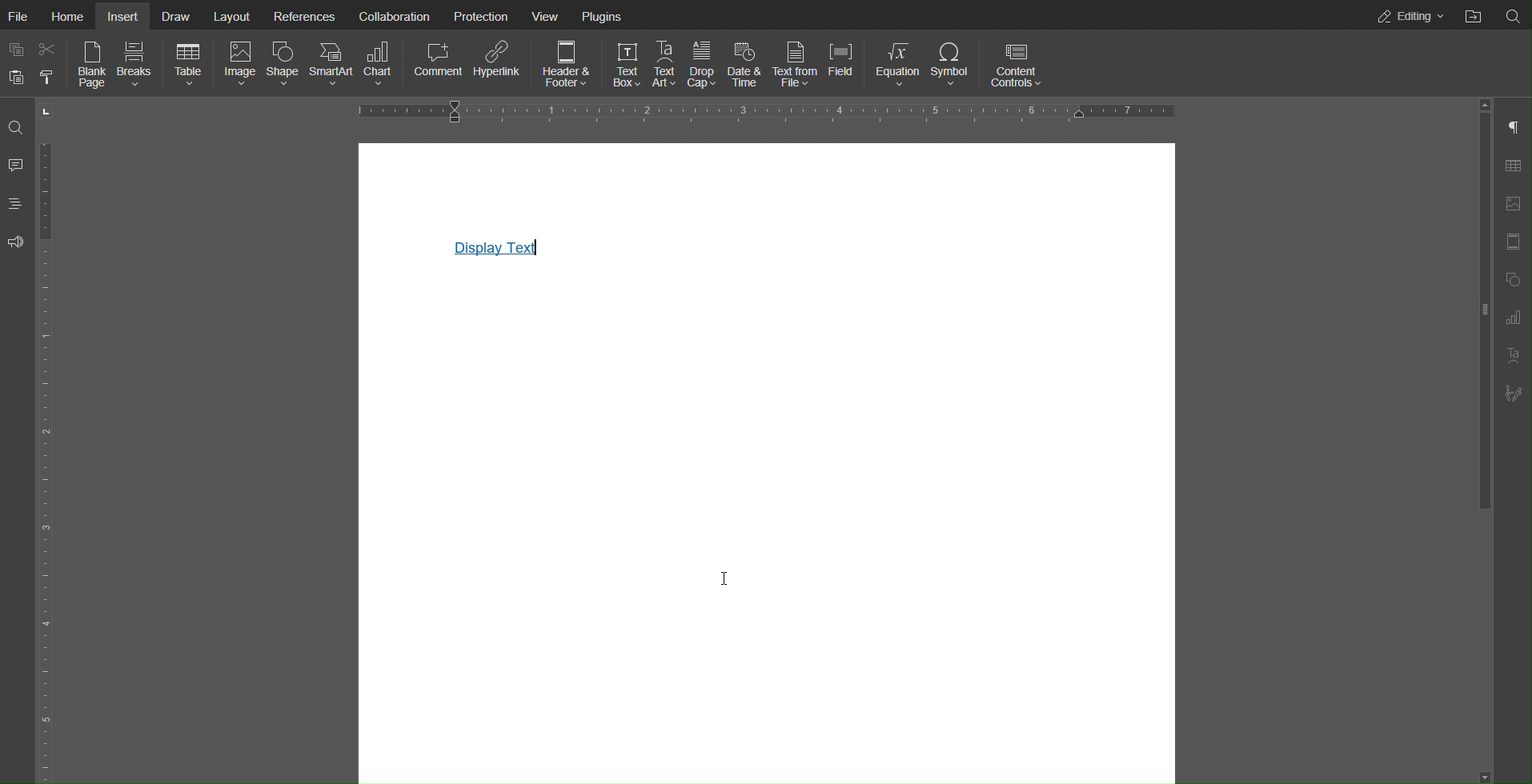  What do you see at coordinates (1512, 244) in the screenshot?
I see `Header Footer` at bounding box center [1512, 244].